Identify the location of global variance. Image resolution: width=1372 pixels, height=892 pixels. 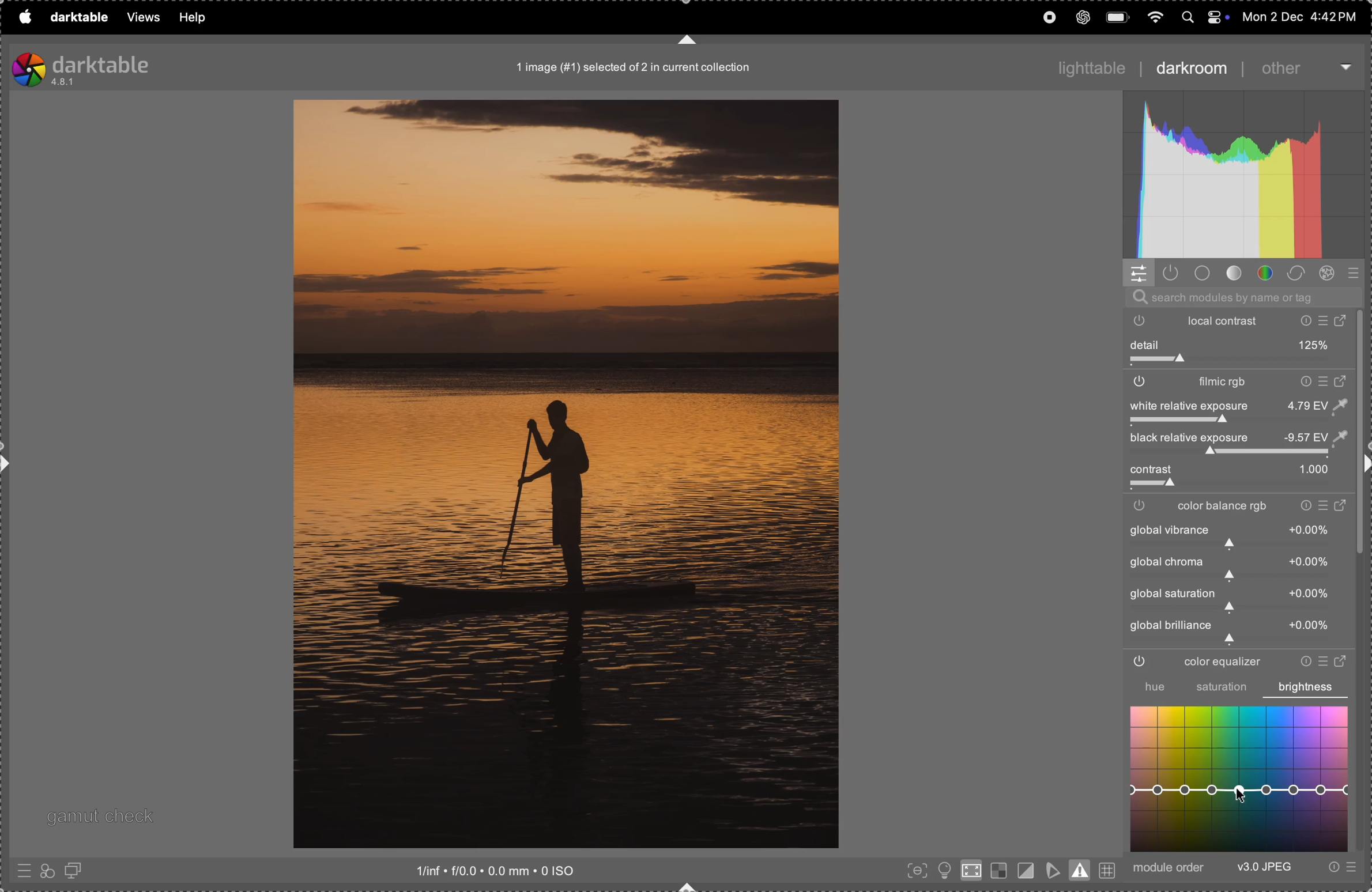
(1238, 536).